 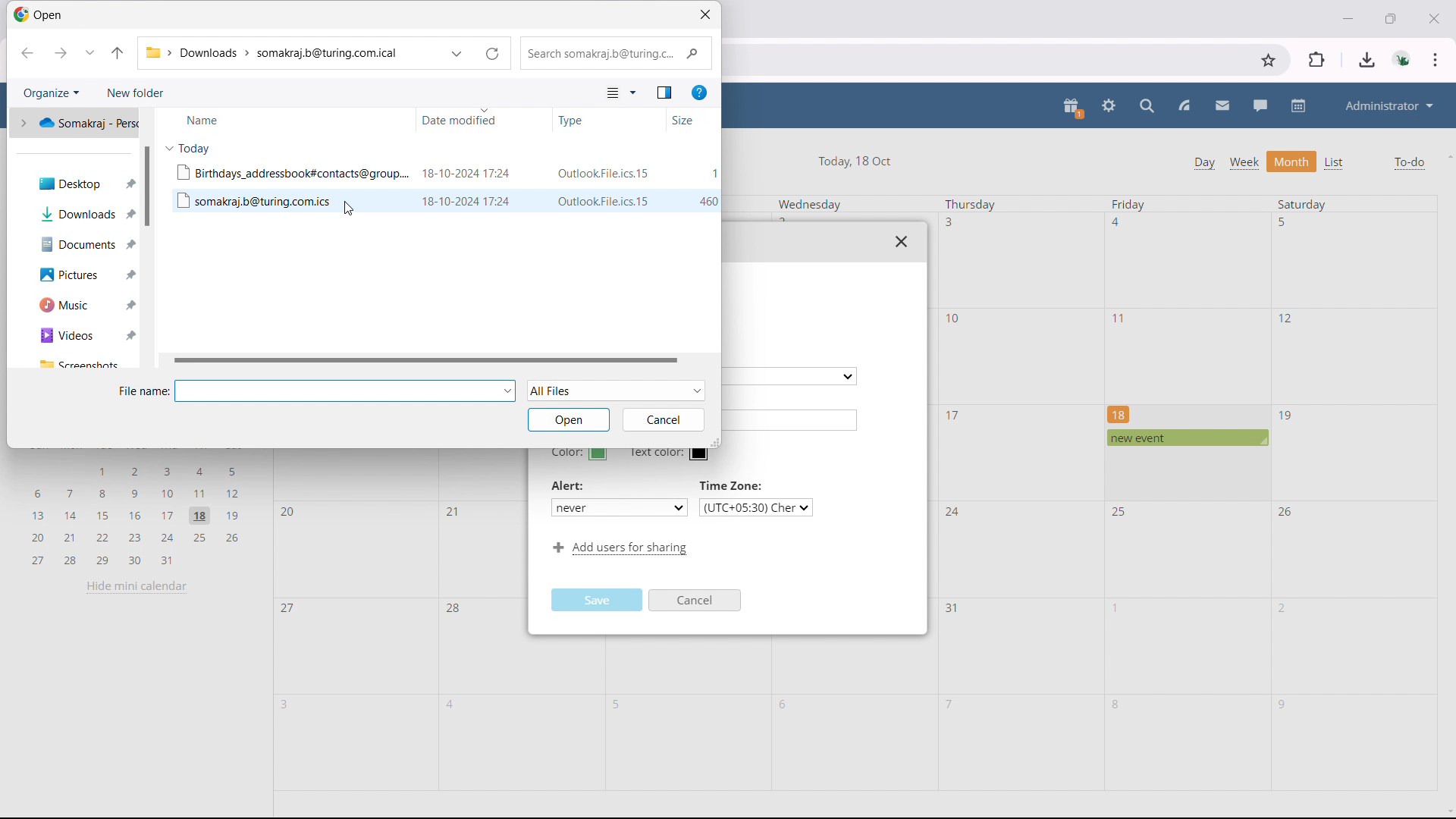 What do you see at coordinates (289, 610) in the screenshot?
I see `27` at bounding box center [289, 610].